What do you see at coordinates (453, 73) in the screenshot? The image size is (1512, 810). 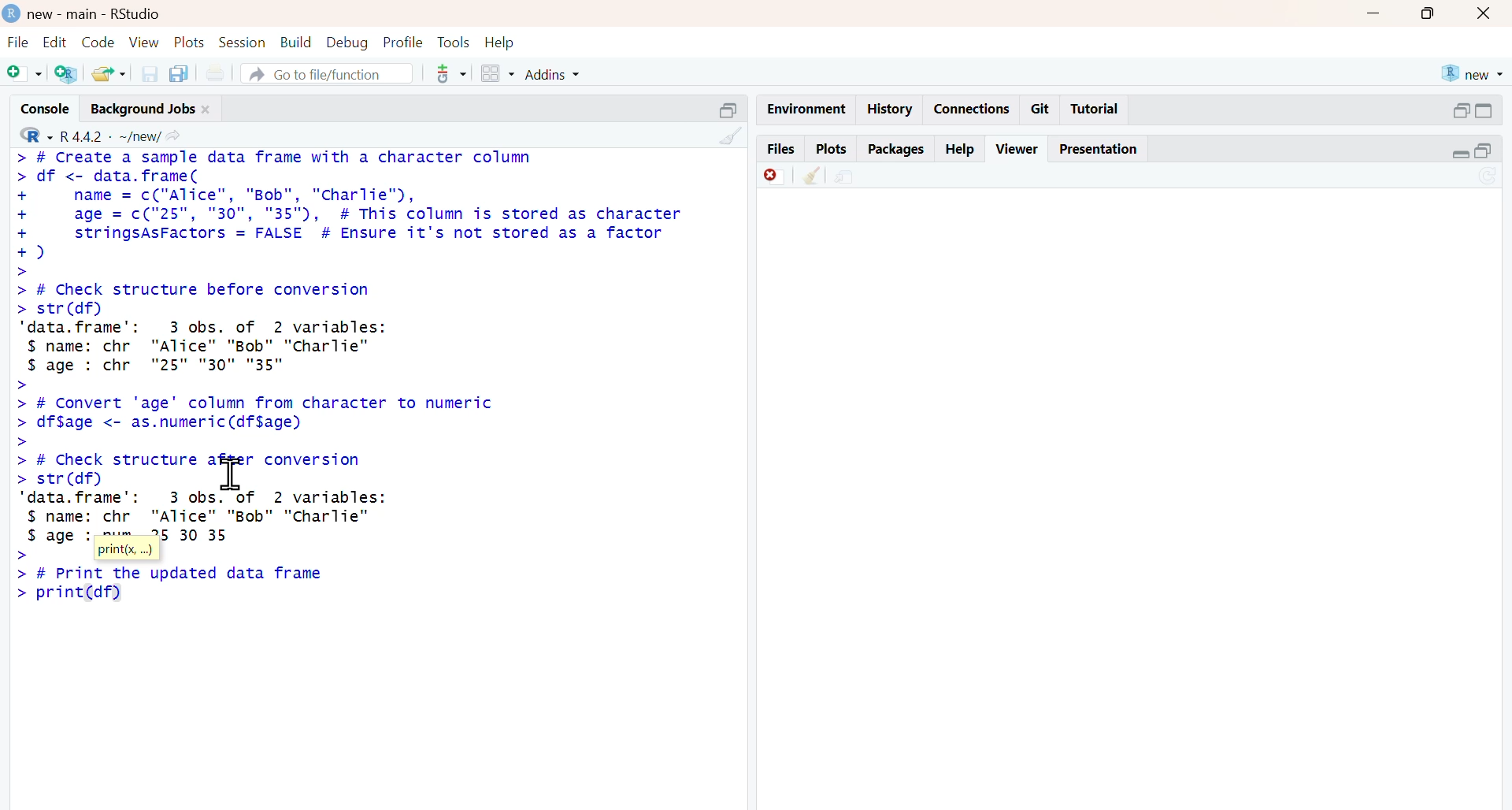 I see `tools` at bounding box center [453, 73].